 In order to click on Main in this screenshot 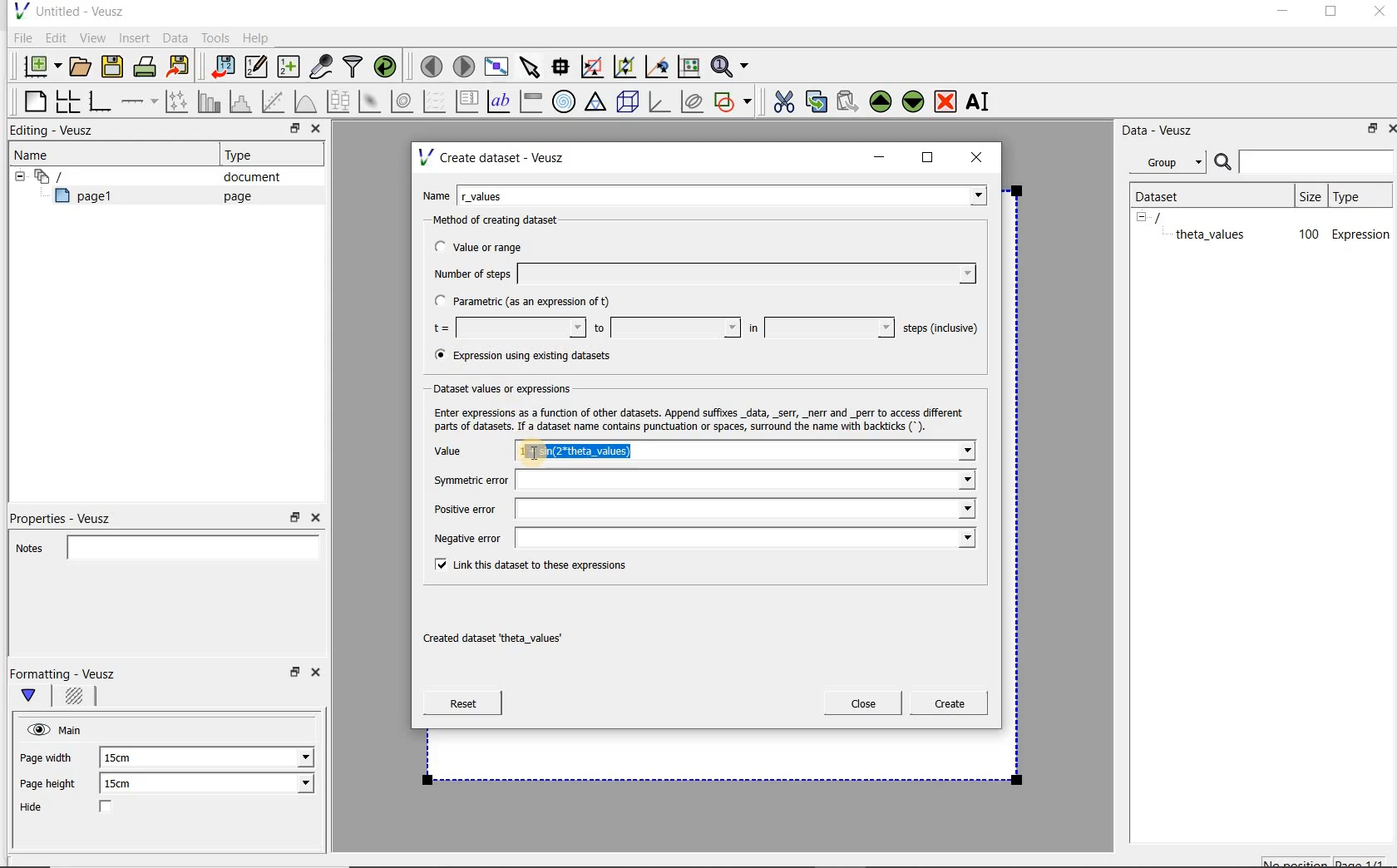, I will do `click(73, 728)`.